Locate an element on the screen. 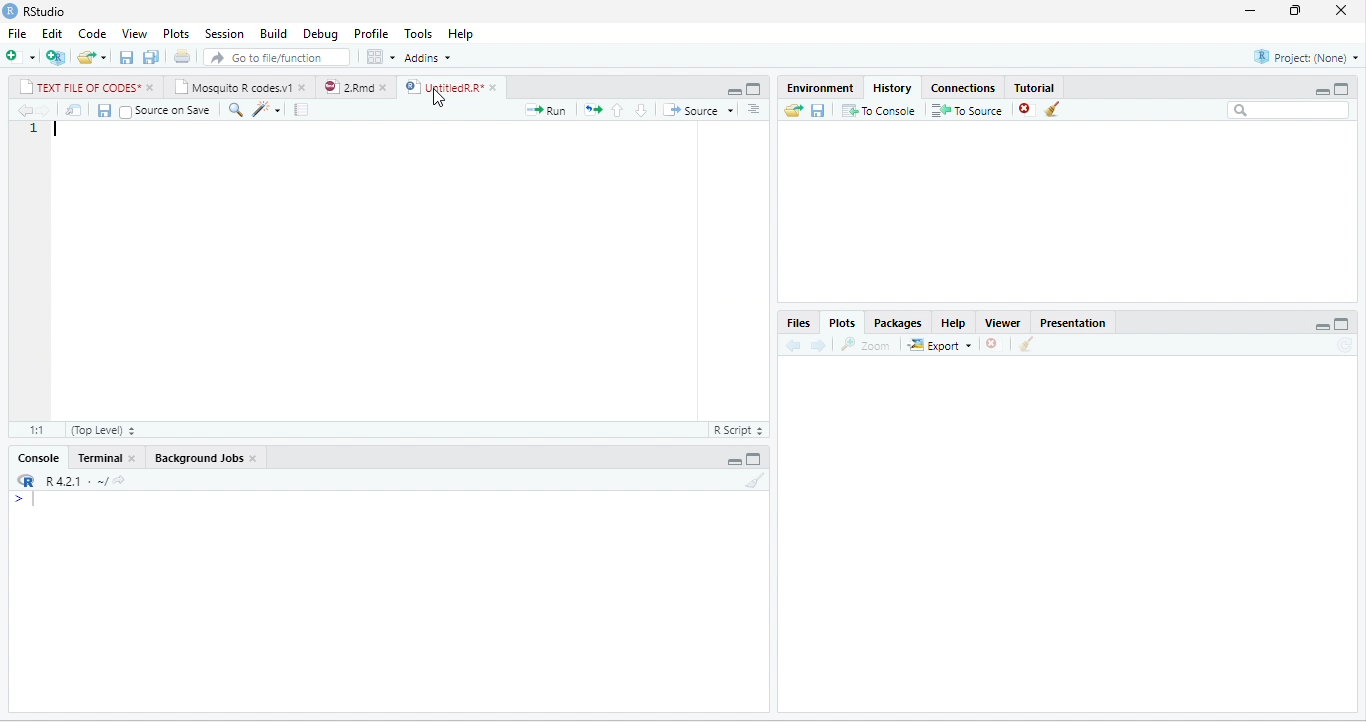 This screenshot has height=722, width=1366. Plots is located at coordinates (177, 34).